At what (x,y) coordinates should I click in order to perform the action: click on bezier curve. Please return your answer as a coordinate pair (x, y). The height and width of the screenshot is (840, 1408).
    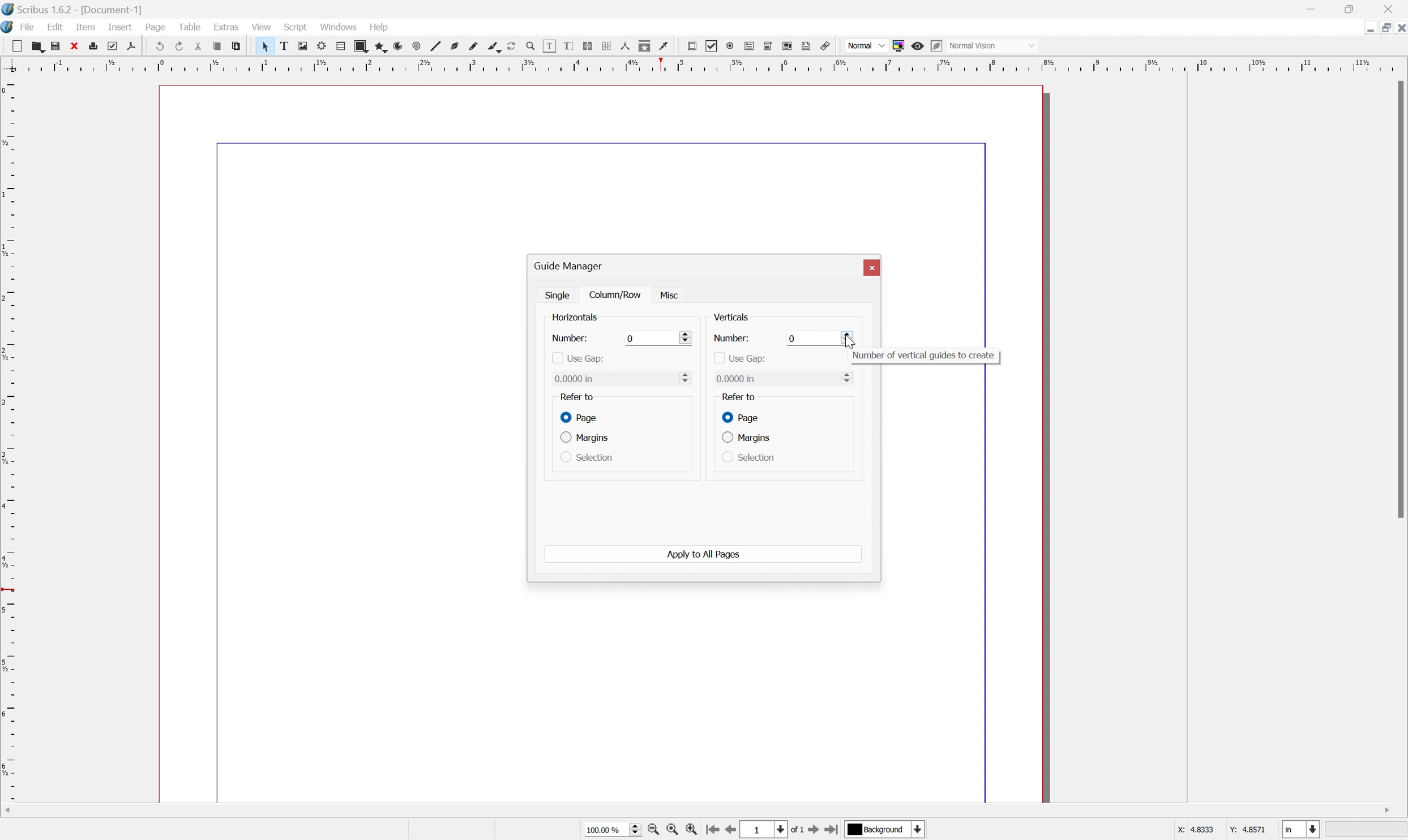
    Looking at the image, I should click on (455, 46).